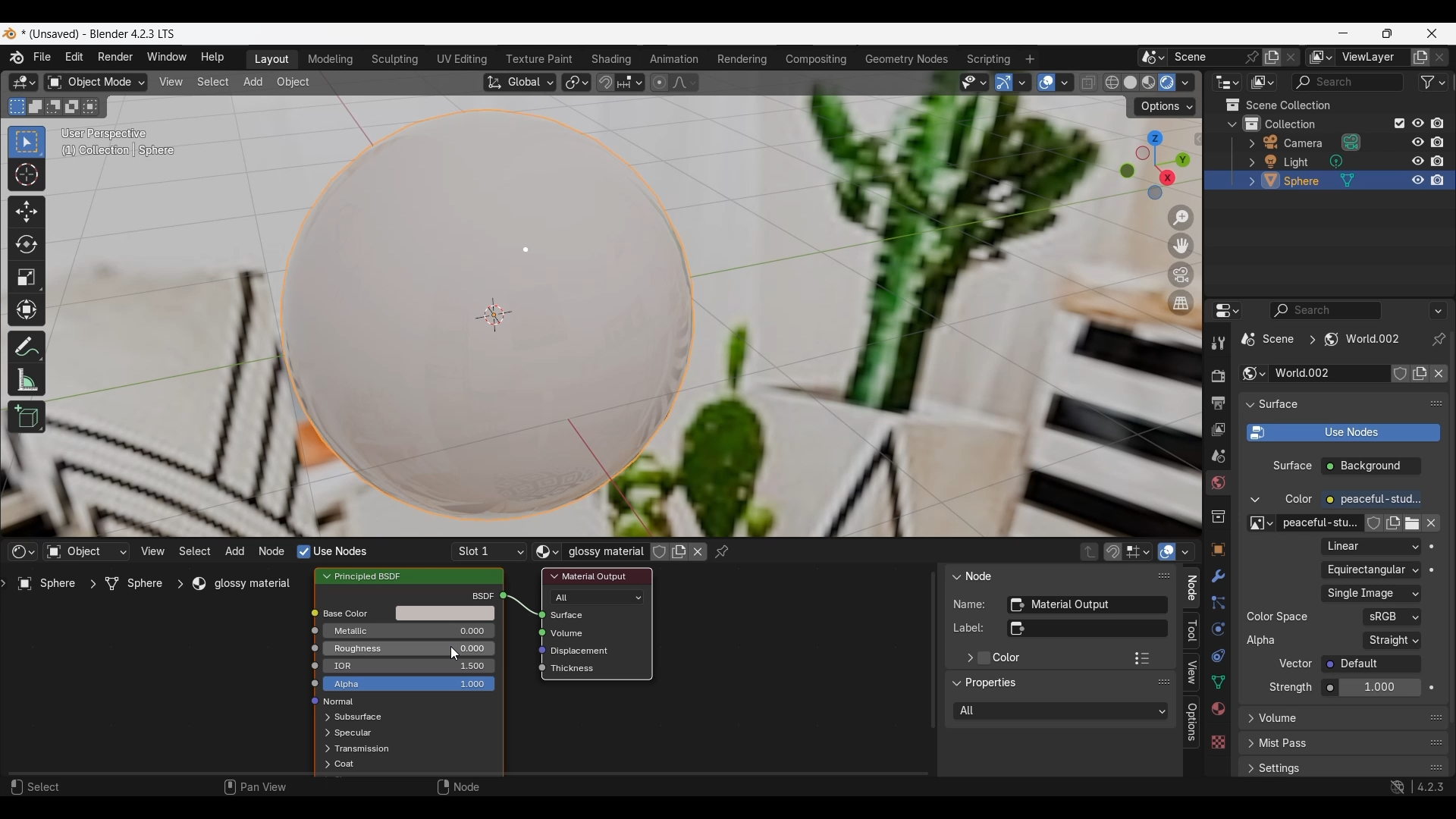  Describe the element at coordinates (1247, 180) in the screenshot. I see `expand respective scenes` at that location.